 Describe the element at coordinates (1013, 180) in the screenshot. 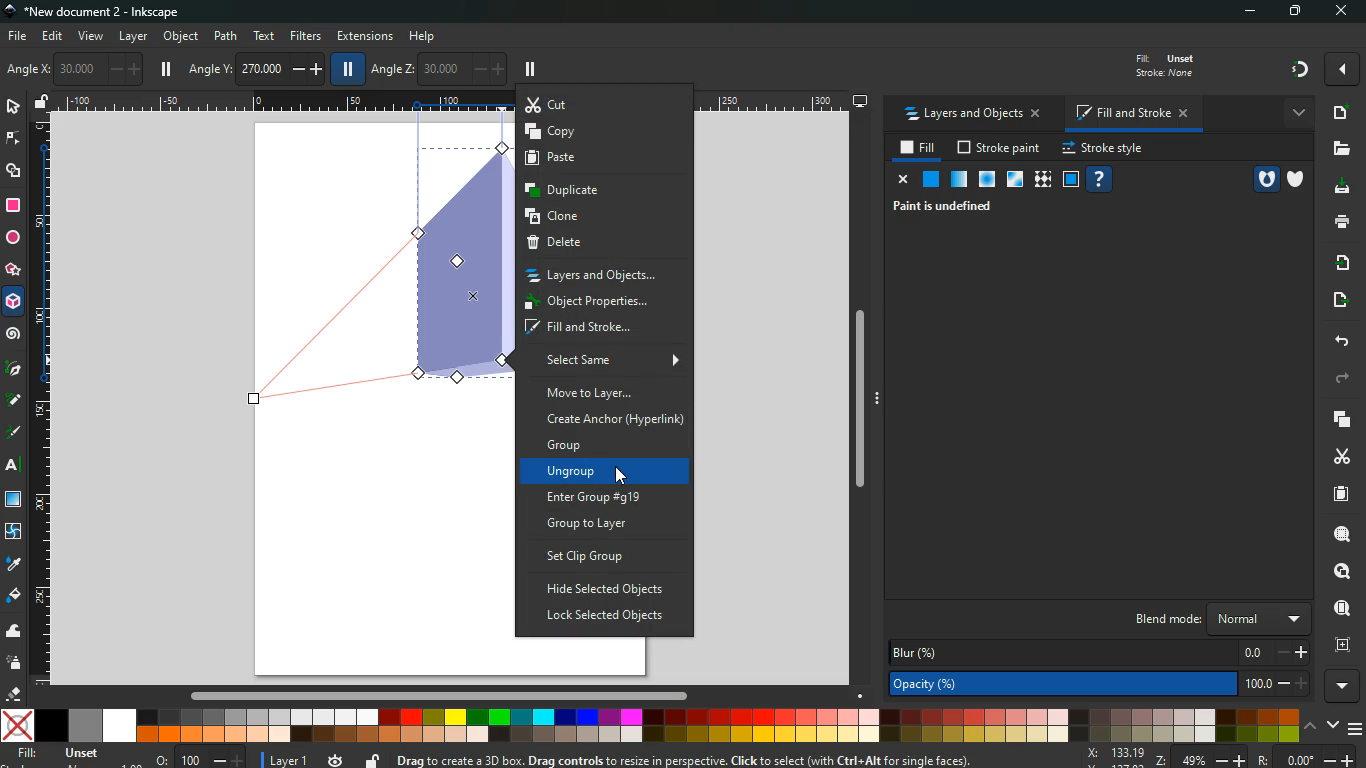

I see `window` at that location.